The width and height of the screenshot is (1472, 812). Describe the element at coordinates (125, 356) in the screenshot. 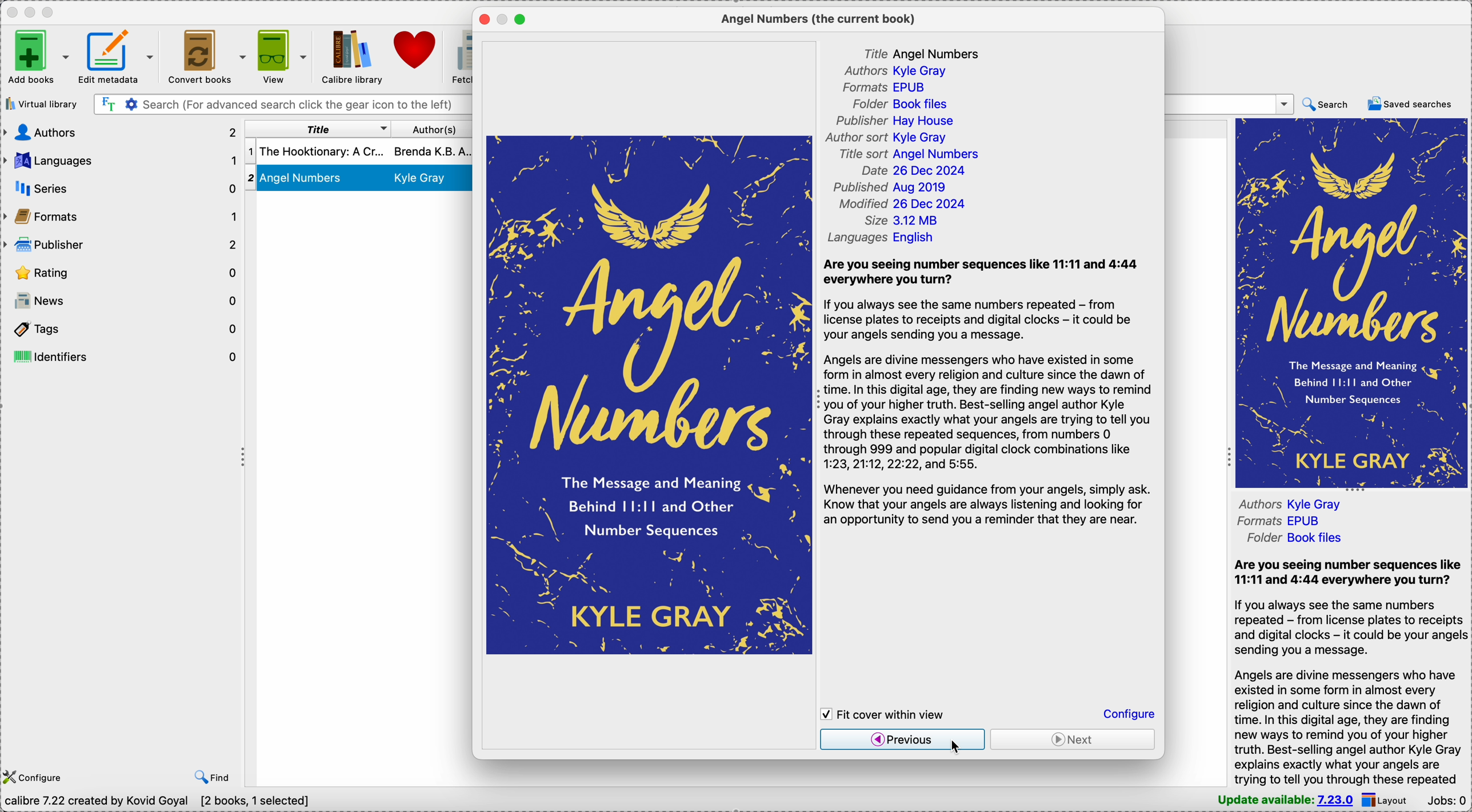

I see `identifiers` at that location.